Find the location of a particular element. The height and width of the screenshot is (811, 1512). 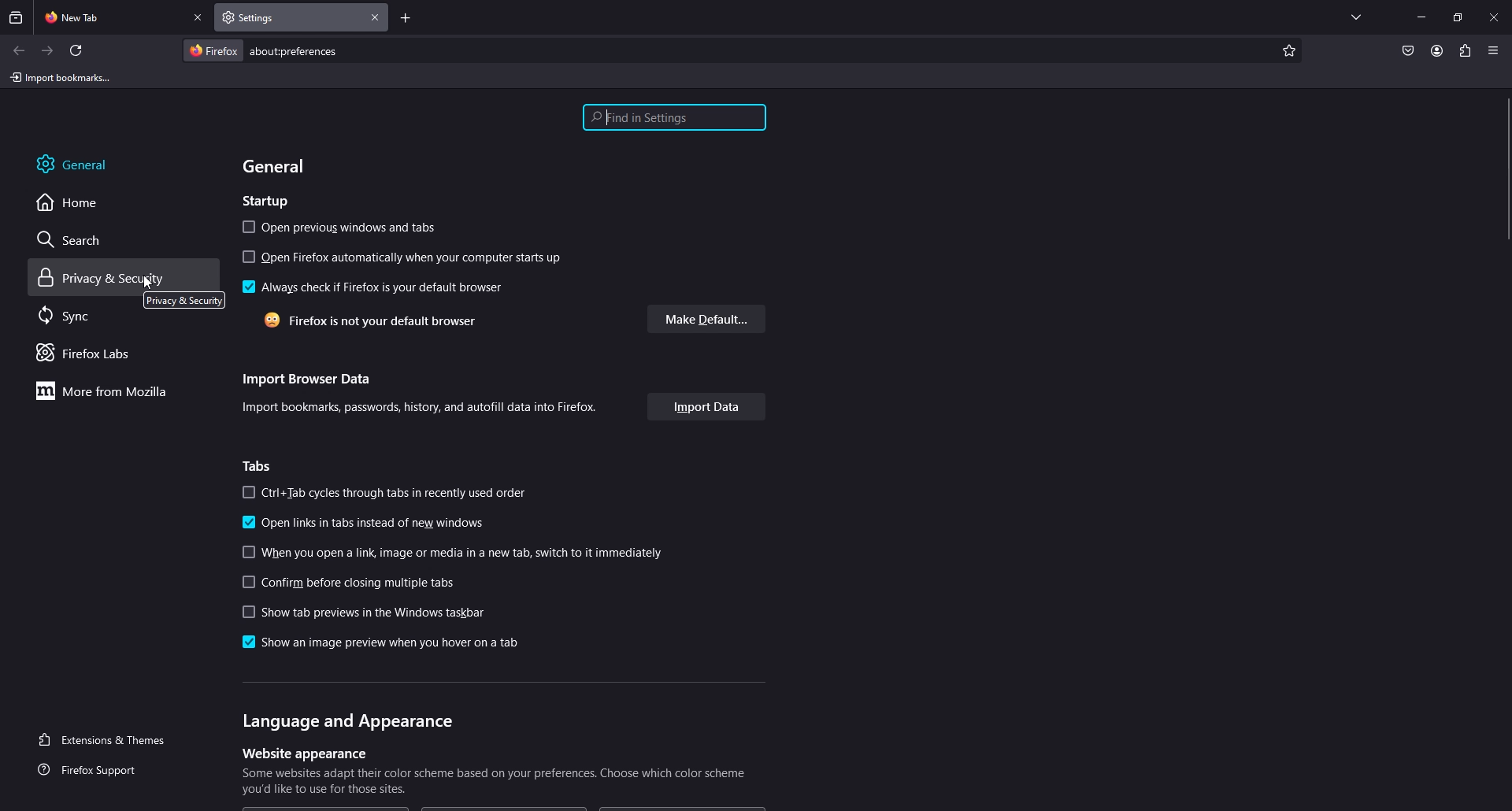

close tab is located at coordinates (376, 17).